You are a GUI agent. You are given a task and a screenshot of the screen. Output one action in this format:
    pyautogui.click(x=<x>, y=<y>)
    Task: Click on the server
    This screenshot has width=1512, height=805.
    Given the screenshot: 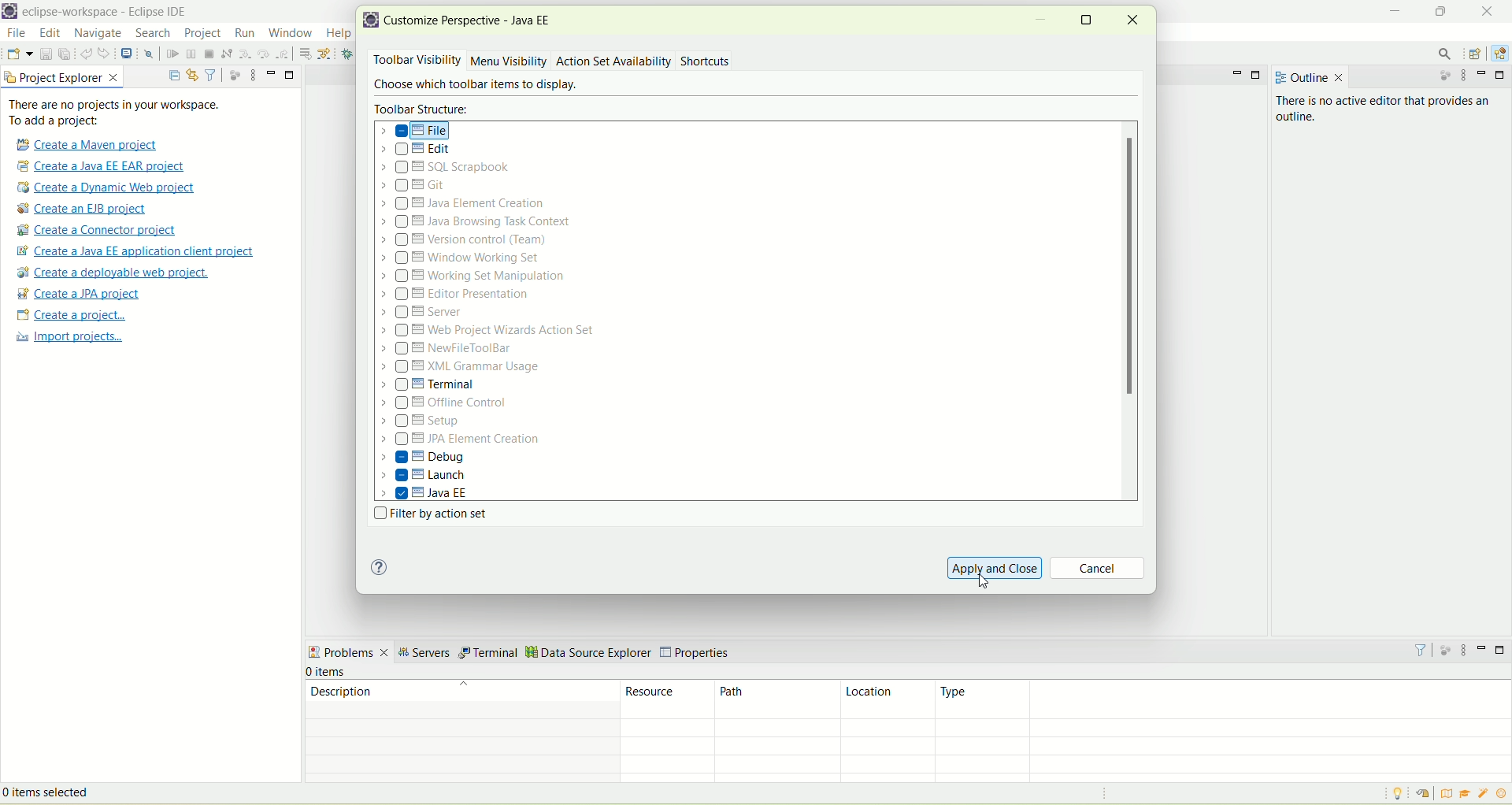 What is the action you would take?
    pyautogui.click(x=424, y=314)
    